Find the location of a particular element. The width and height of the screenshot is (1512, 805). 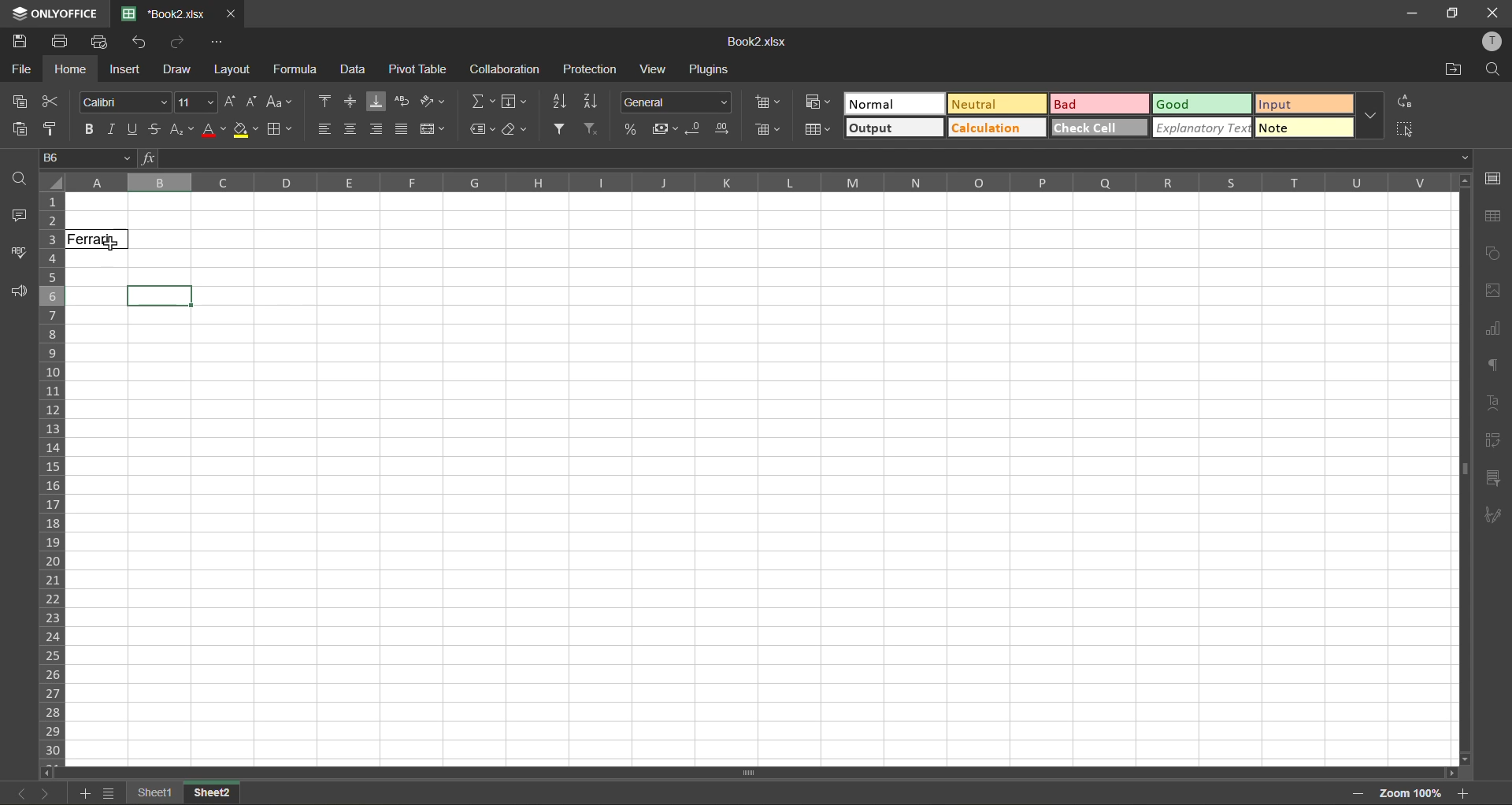

decrement size is located at coordinates (252, 102).